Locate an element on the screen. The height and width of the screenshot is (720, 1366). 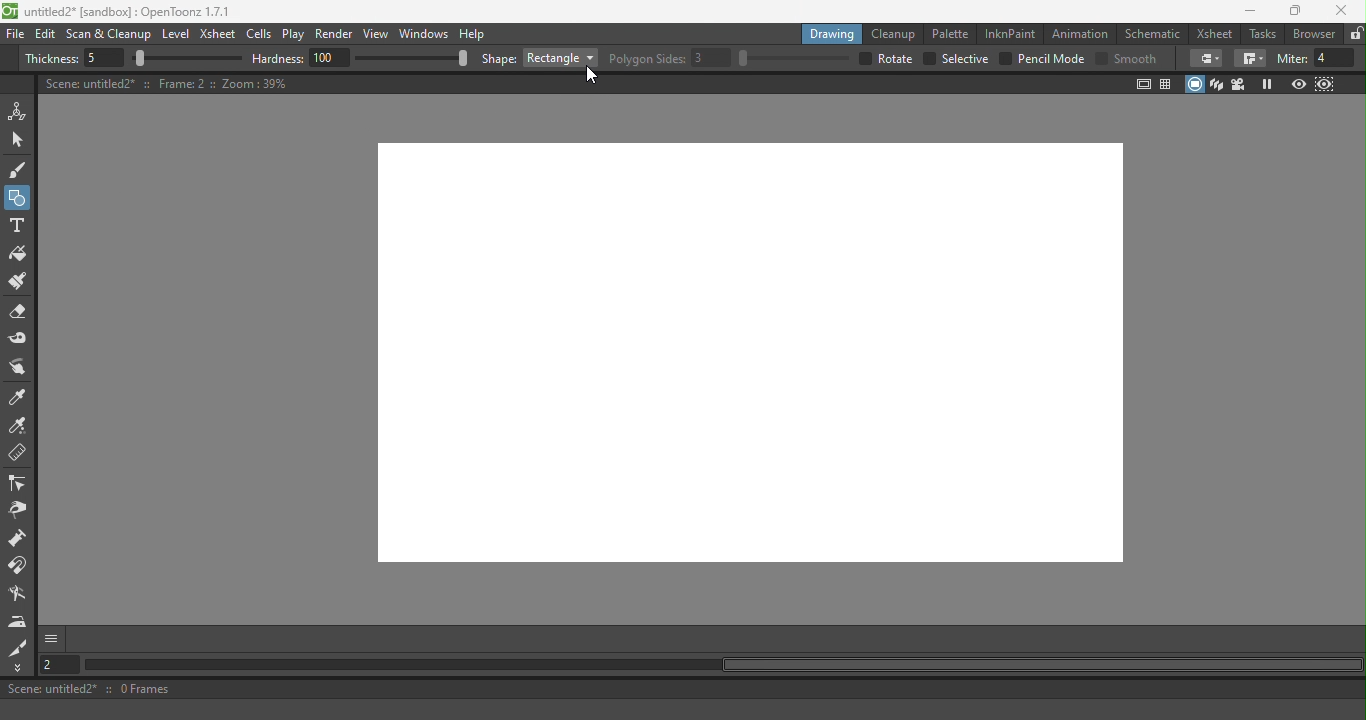
Drawing is located at coordinates (828, 33).